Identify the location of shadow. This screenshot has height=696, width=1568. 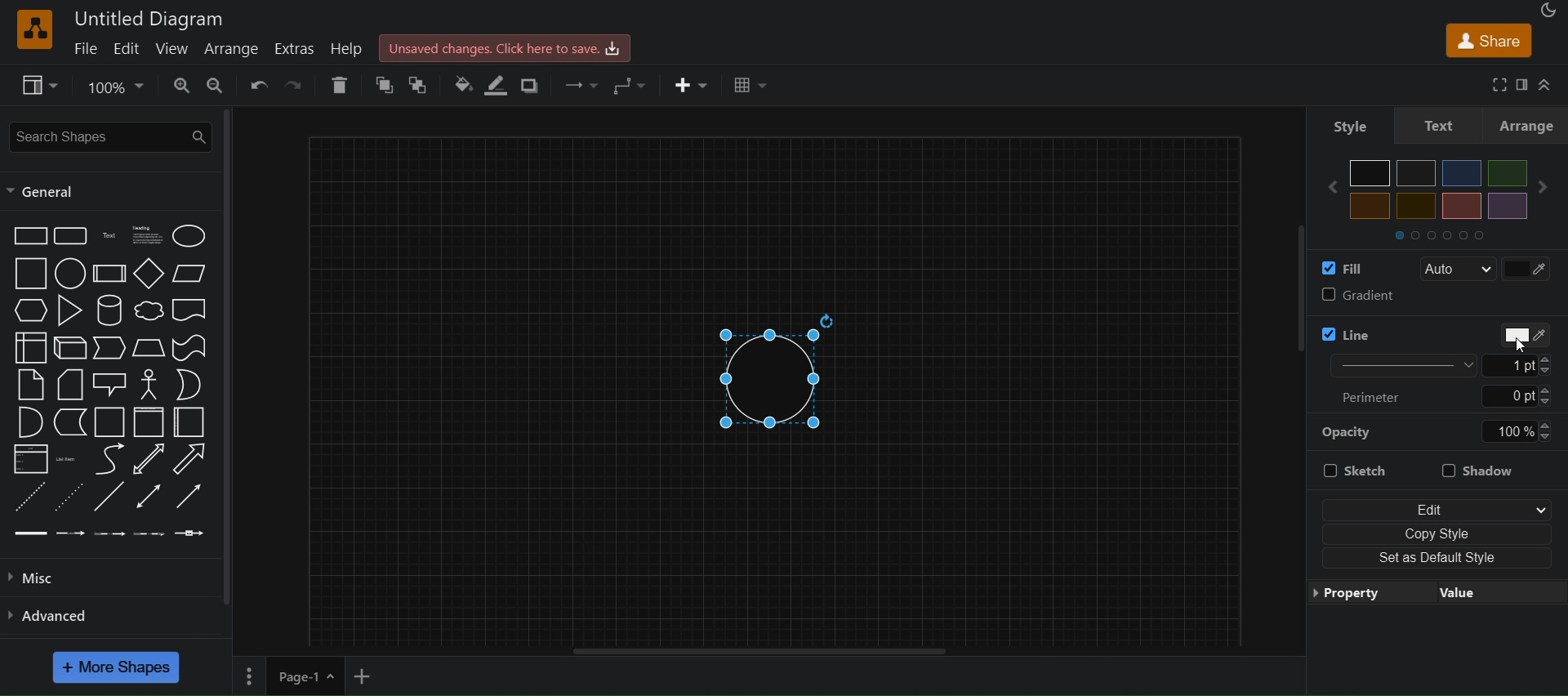
(1486, 468).